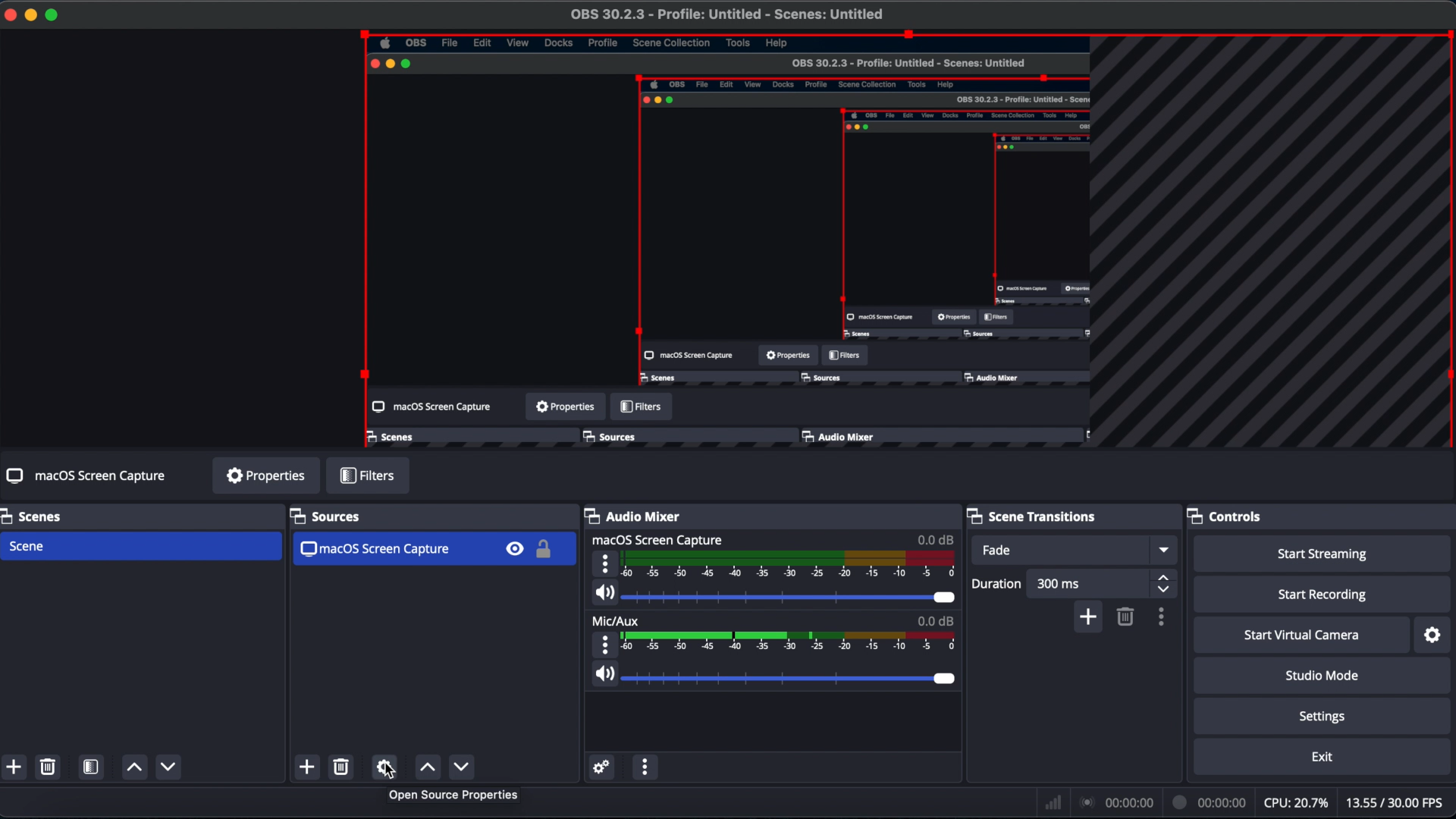  What do you see at coordinates (454, 795) in the screenshot?
I see `Open Source Properties` at bounding box center [454, 795].